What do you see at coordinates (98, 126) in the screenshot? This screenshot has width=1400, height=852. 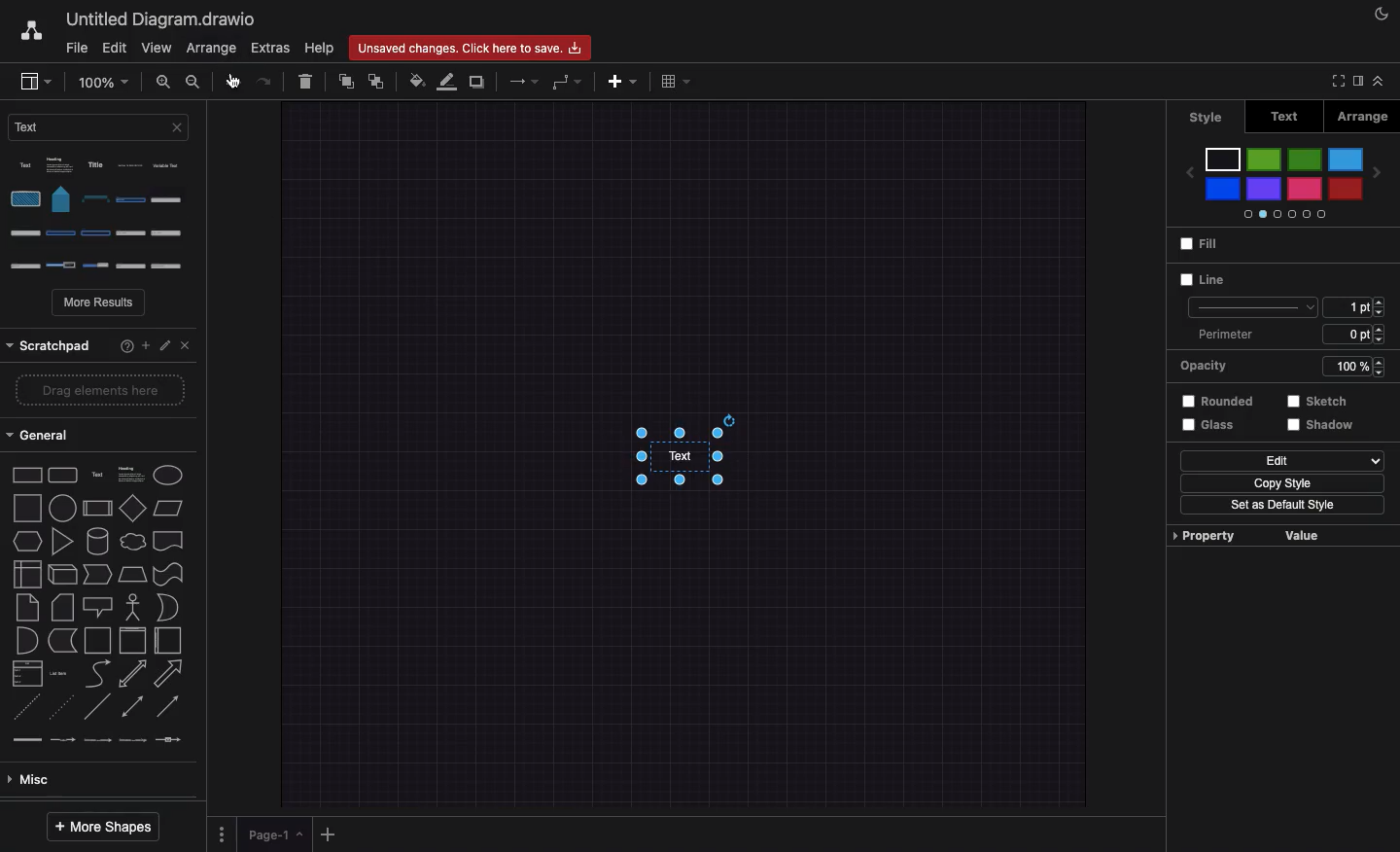 I see `Text` at bounding box center [98, 126].